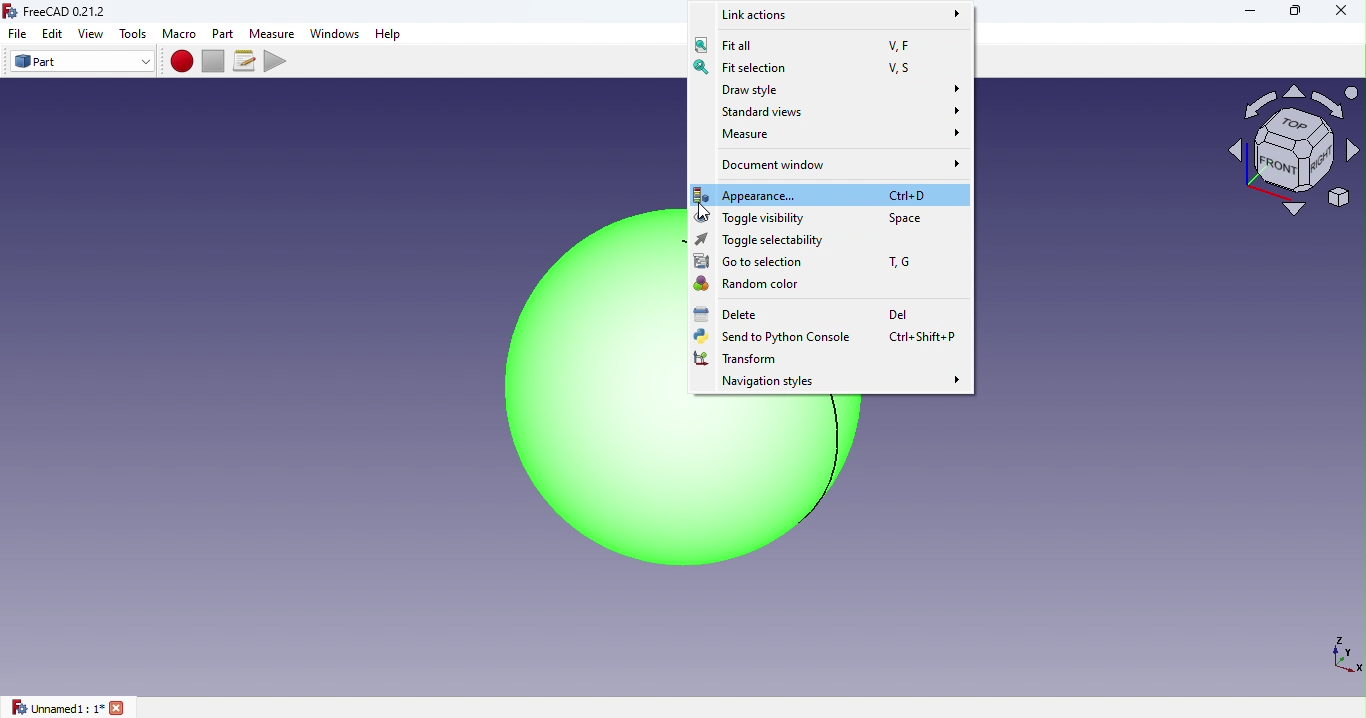 The height and width of the screenshot is (718, 1366). What do you see at coordinates (334, 34) in the screenshot?
I see `Windows` at bounding box center [334, 34].